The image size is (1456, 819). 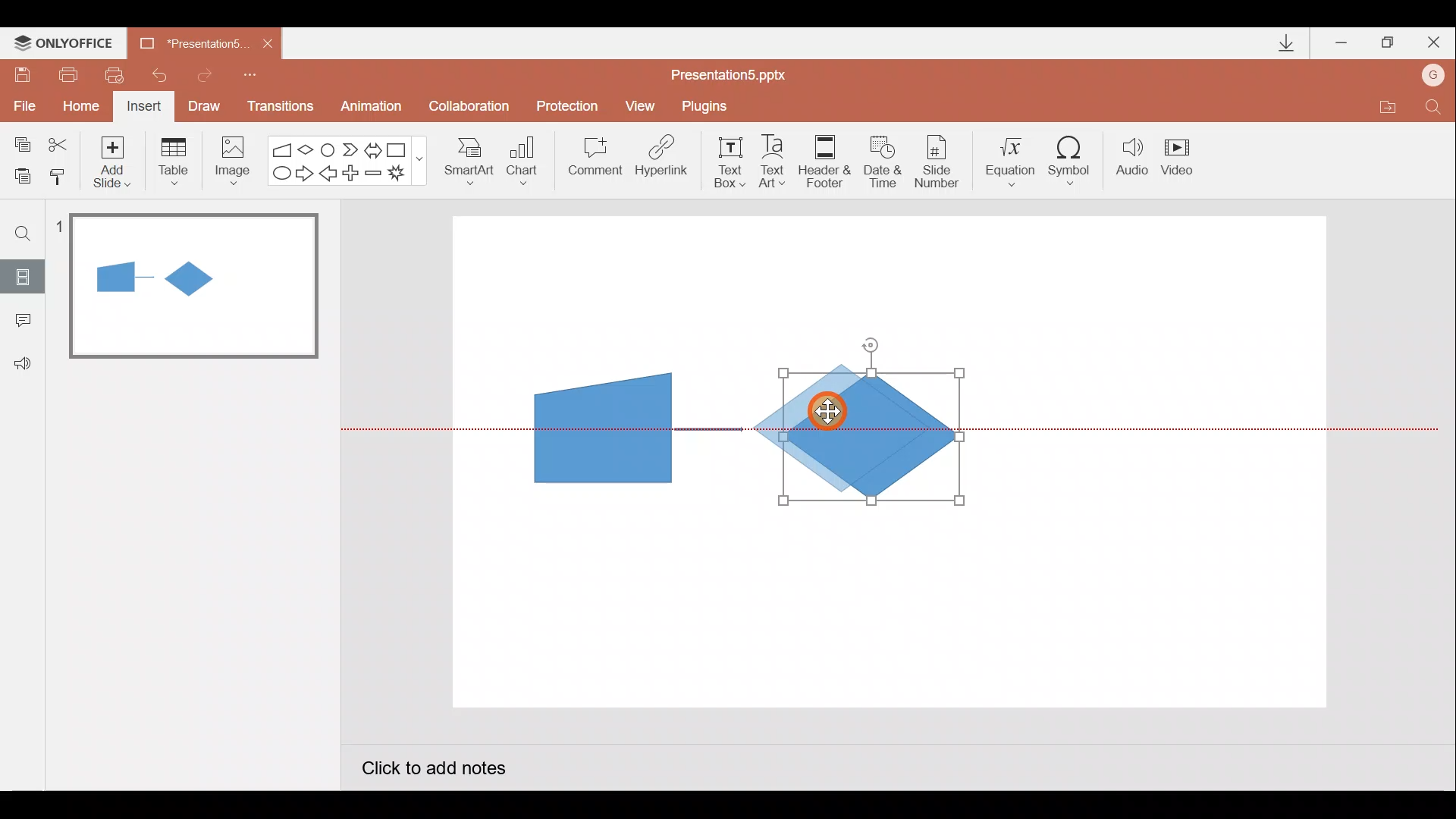 I want to click on Undo, so click(x=162, y=75).